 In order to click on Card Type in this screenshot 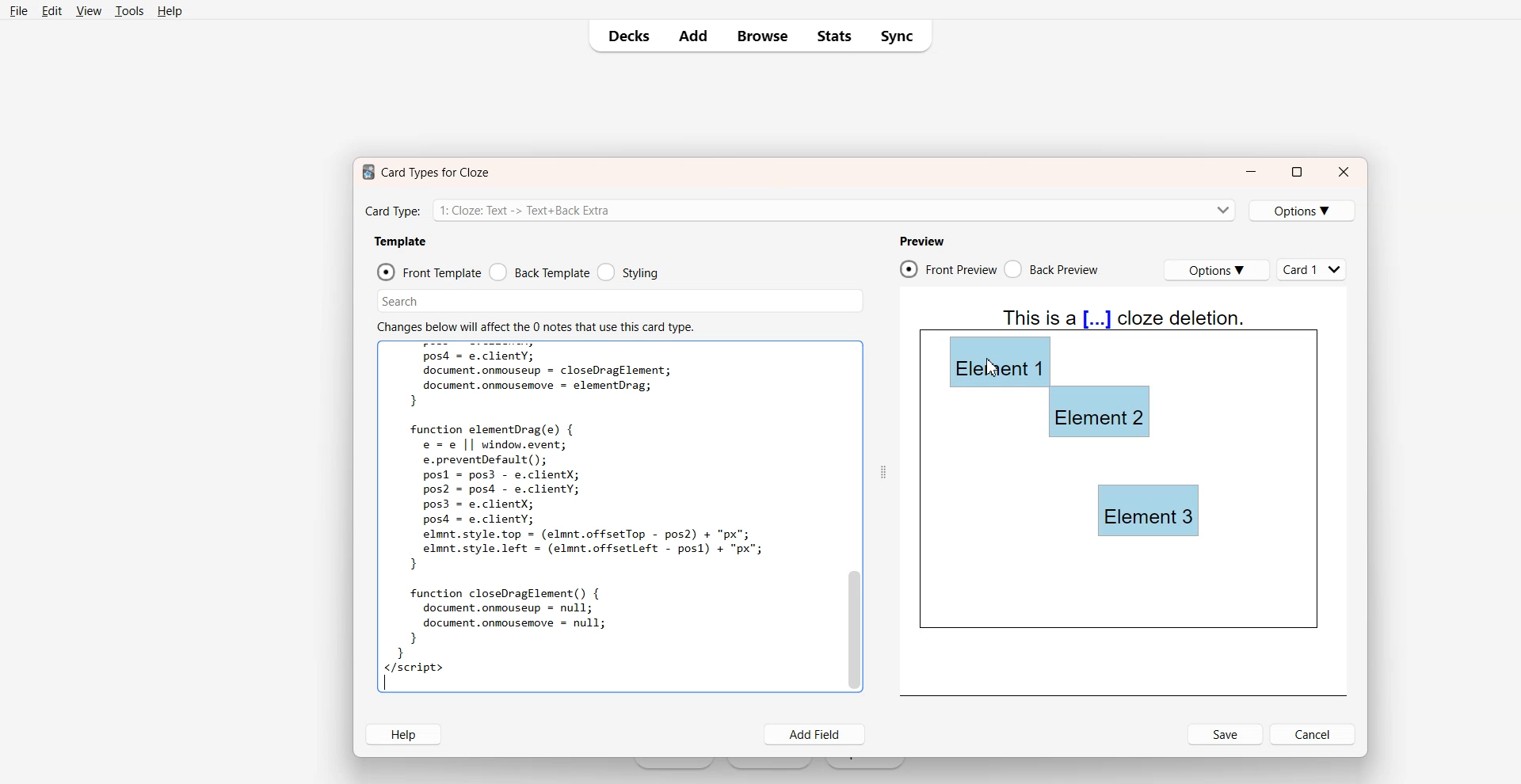, I will do `click(799, 209)`.